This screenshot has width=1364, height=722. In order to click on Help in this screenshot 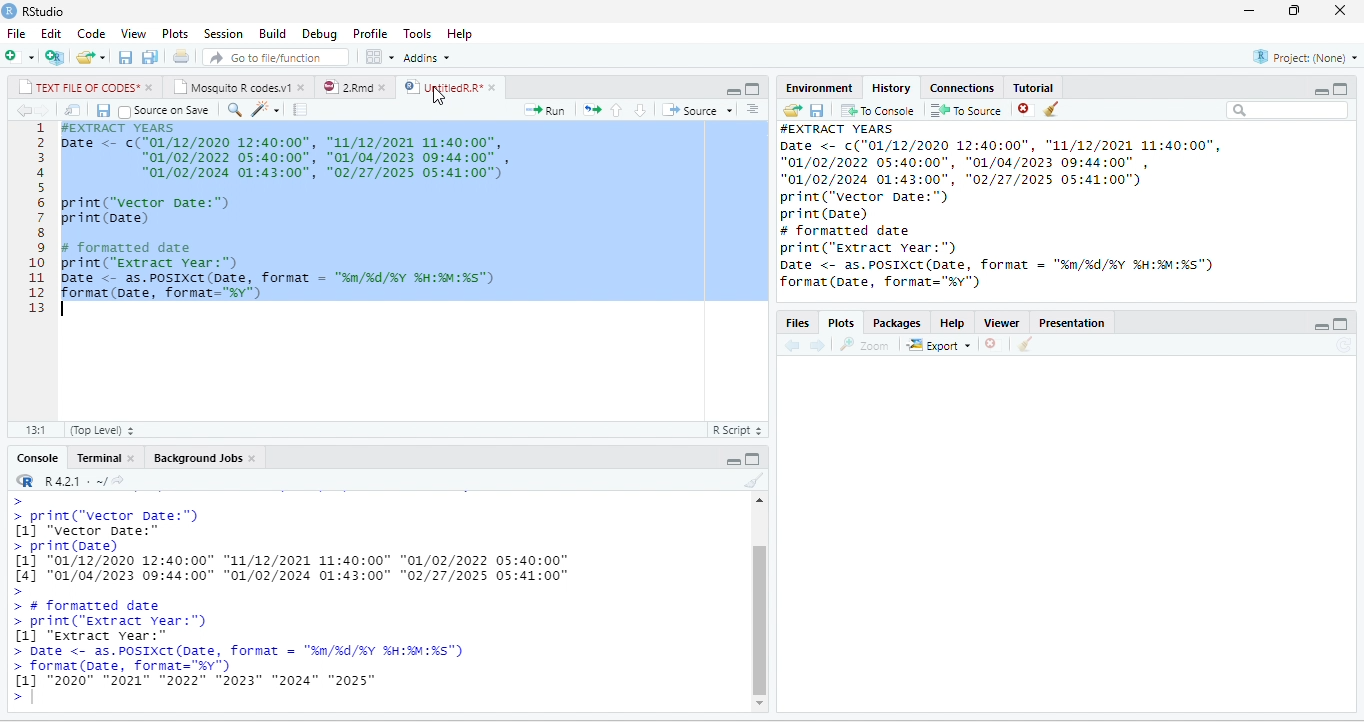, I will do `click(460, 35)`.